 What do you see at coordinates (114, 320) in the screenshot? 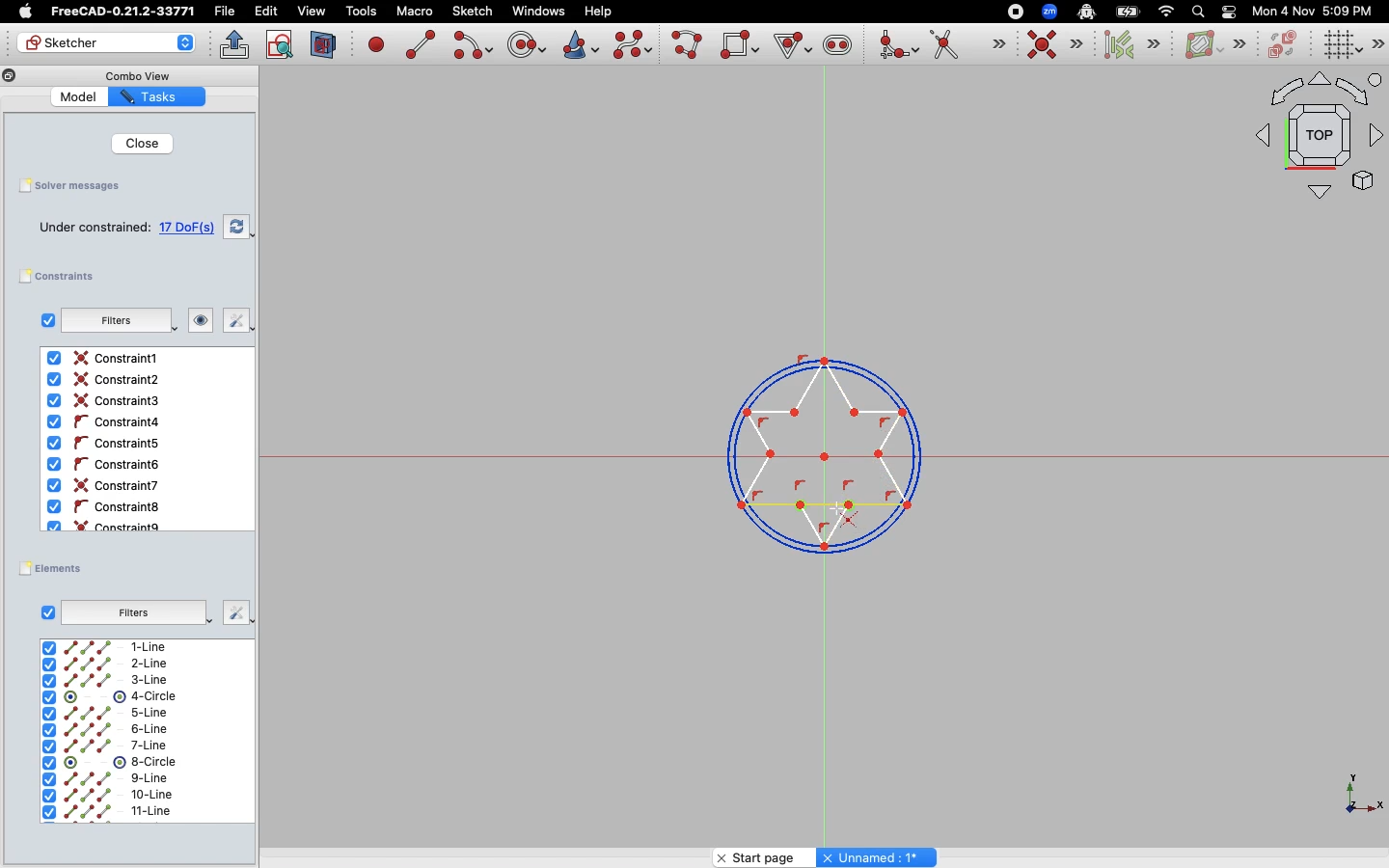
I see `Filters` at bounding box center [114, 320].